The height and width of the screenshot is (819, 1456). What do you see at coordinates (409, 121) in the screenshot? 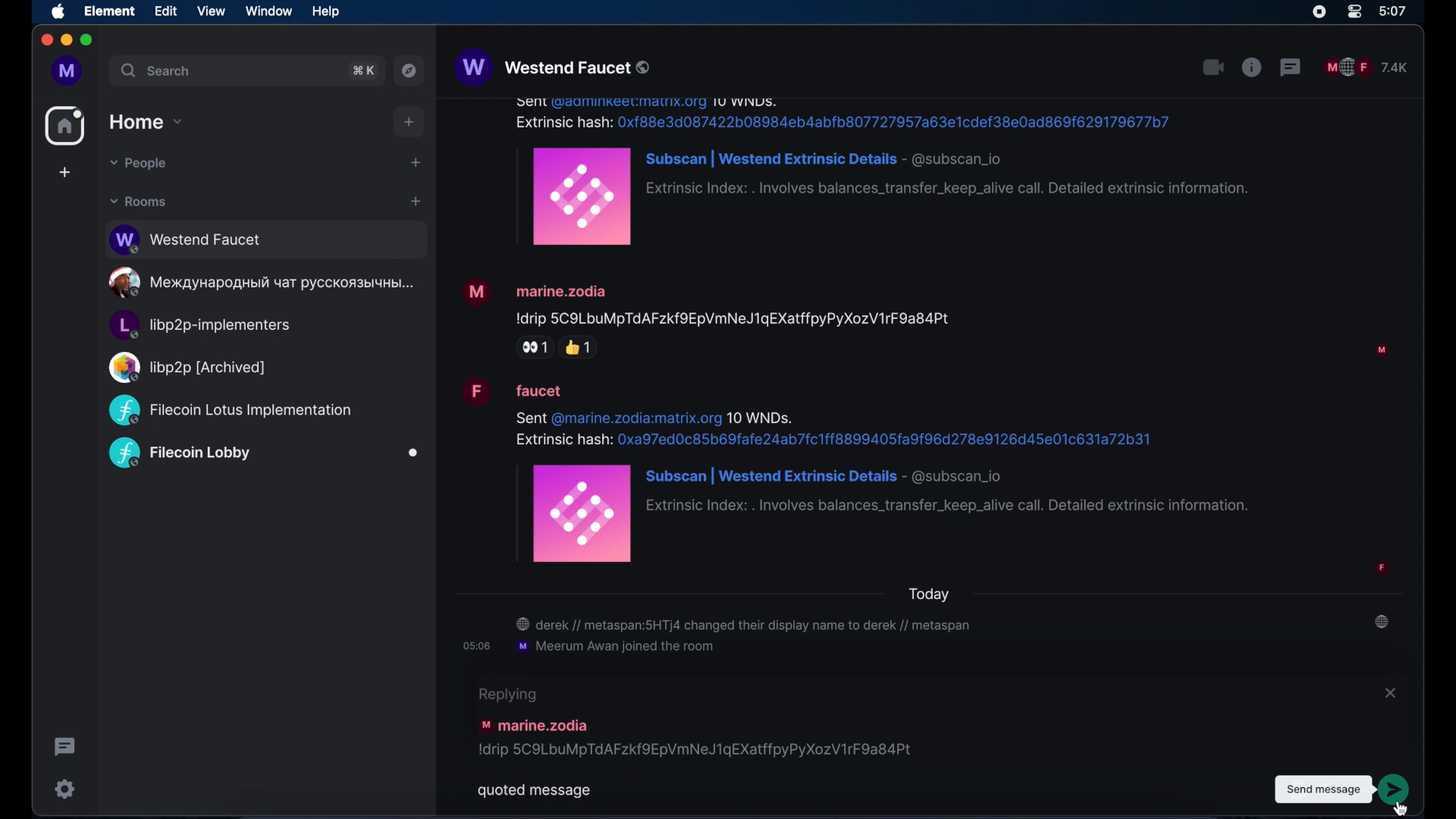
I see `add` at bounding box center [409, 121].